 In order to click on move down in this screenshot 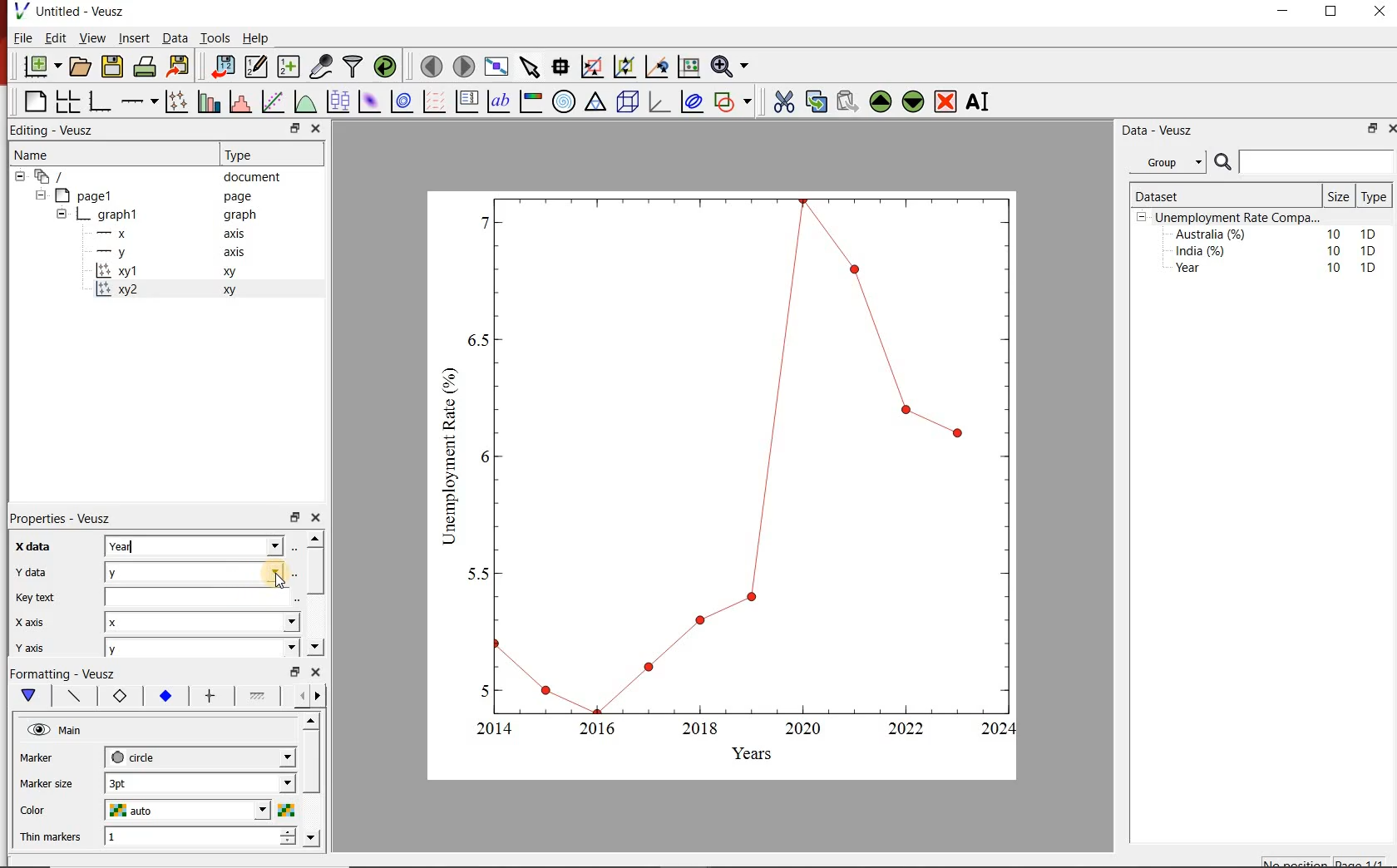, I will do `click(314, 646)`.